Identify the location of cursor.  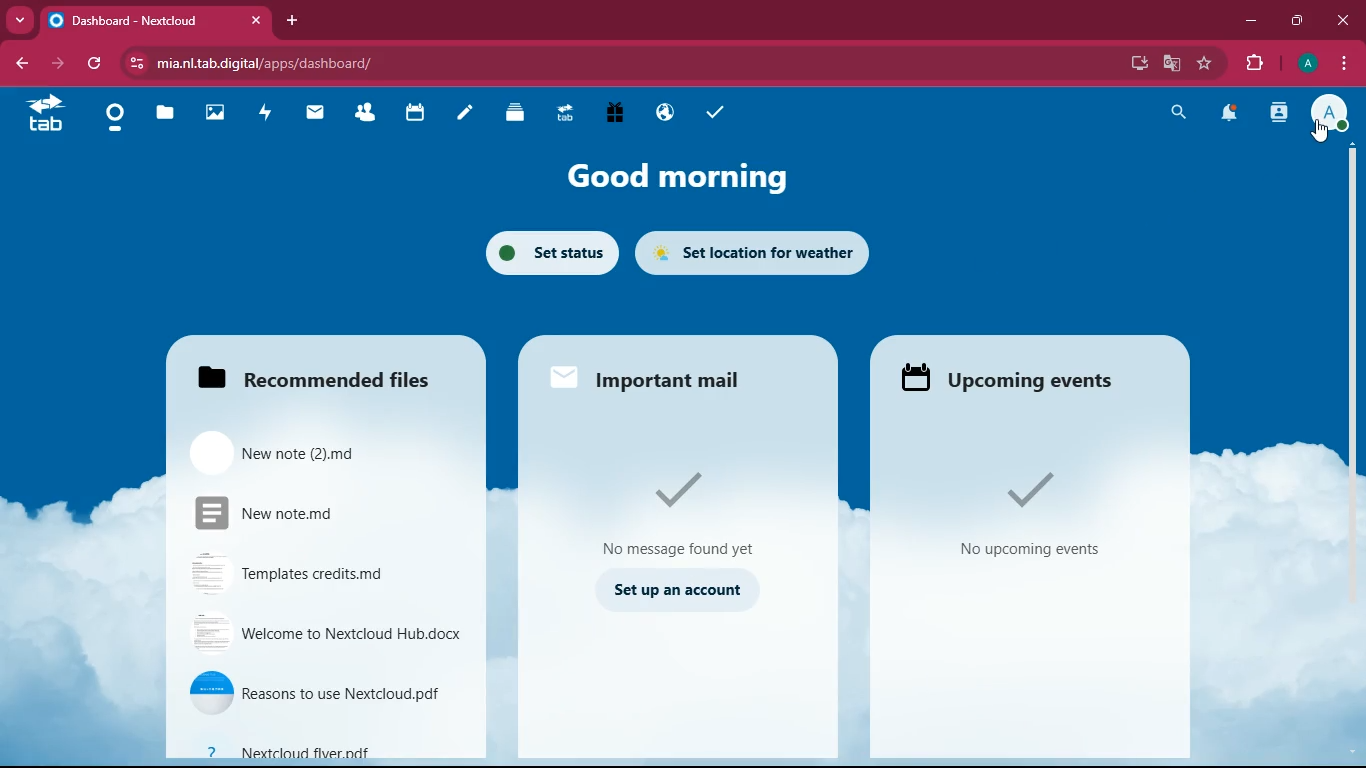
(1321, 135).